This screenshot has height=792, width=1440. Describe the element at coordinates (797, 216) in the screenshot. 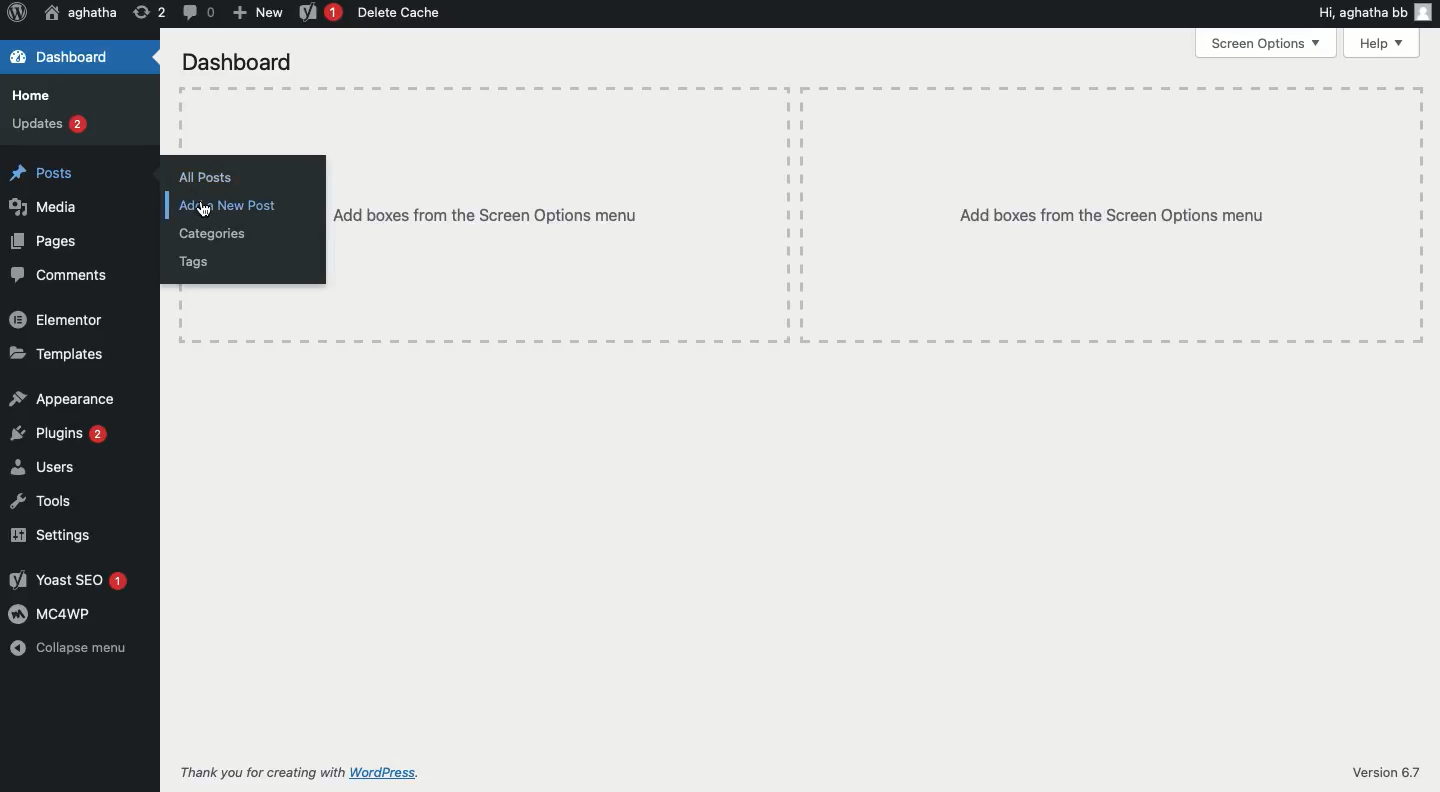

I see `Table lines` at that location.